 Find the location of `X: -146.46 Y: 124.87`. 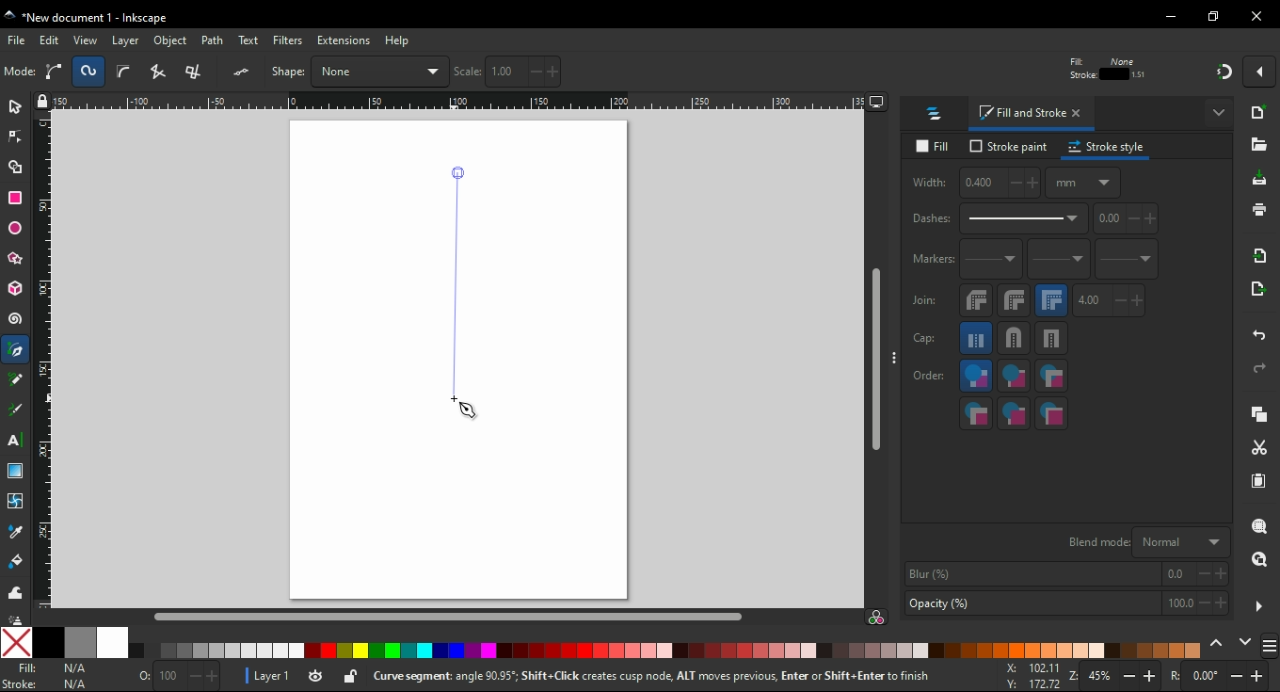

X: -146.46 Y: 124.87 is located at coordinates (1026, 677).